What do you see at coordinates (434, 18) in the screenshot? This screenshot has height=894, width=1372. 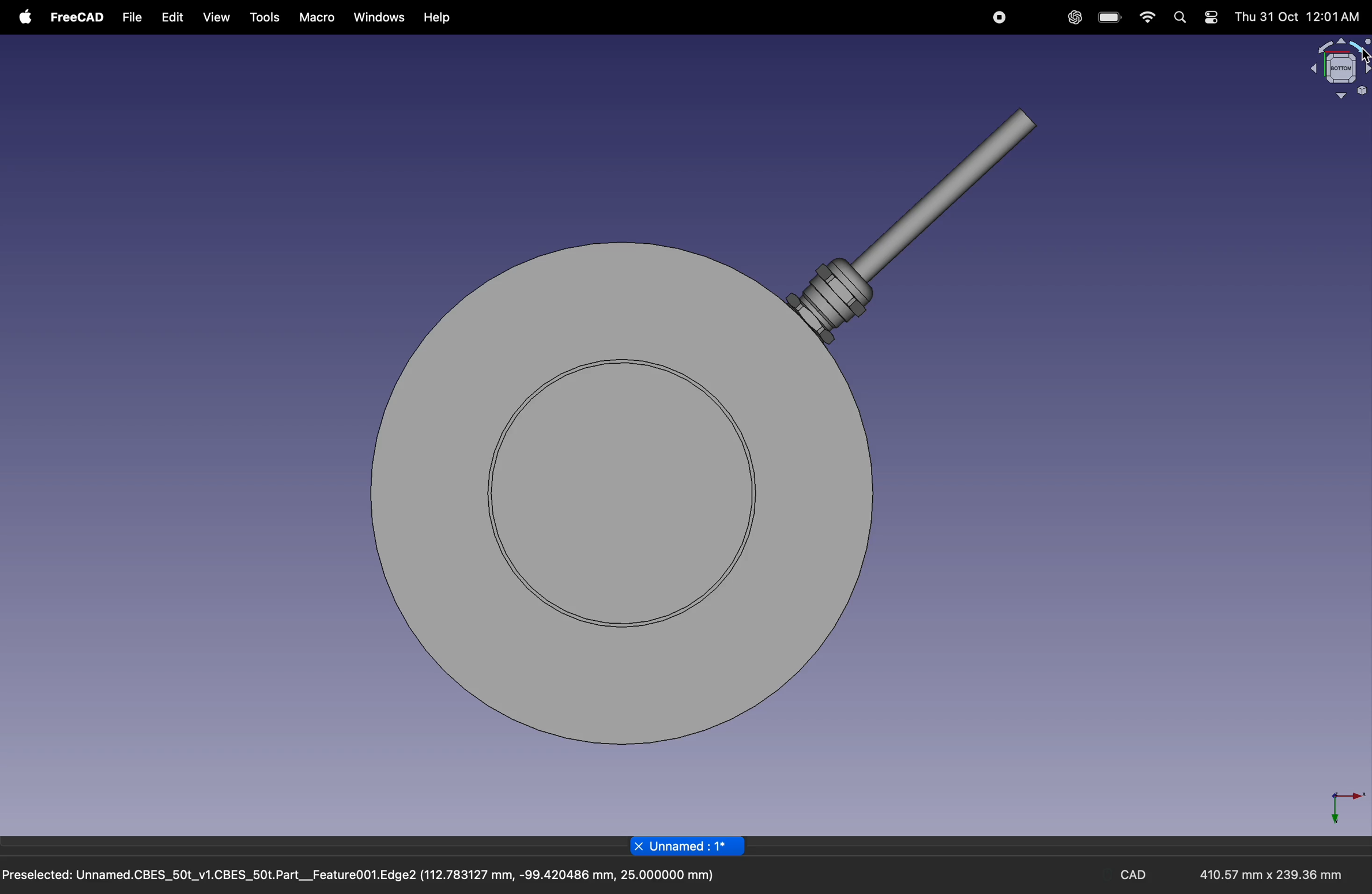 I see `help` at bounding box center [434, 18].